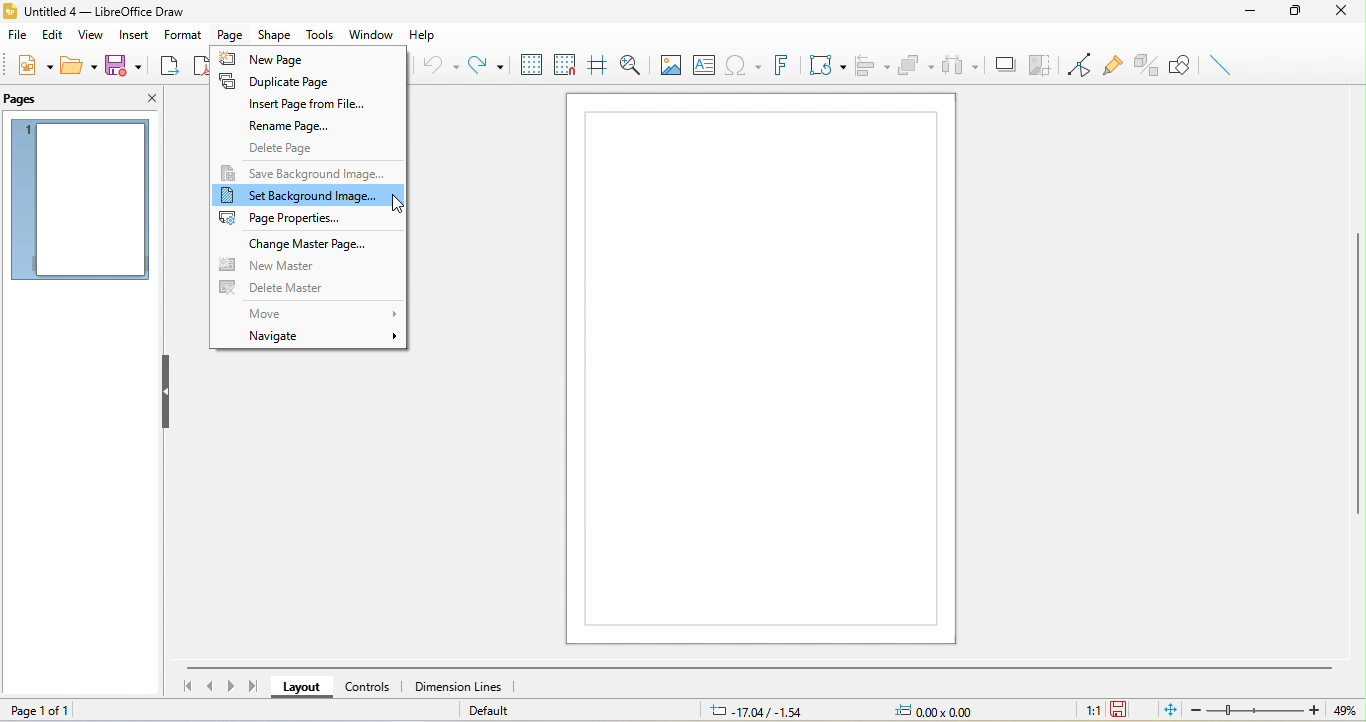 The image size is (1366, 722). What do you see at coordinates (275, 288) in the screenshot?
I see `delete master` at bounding box center [275, 288].